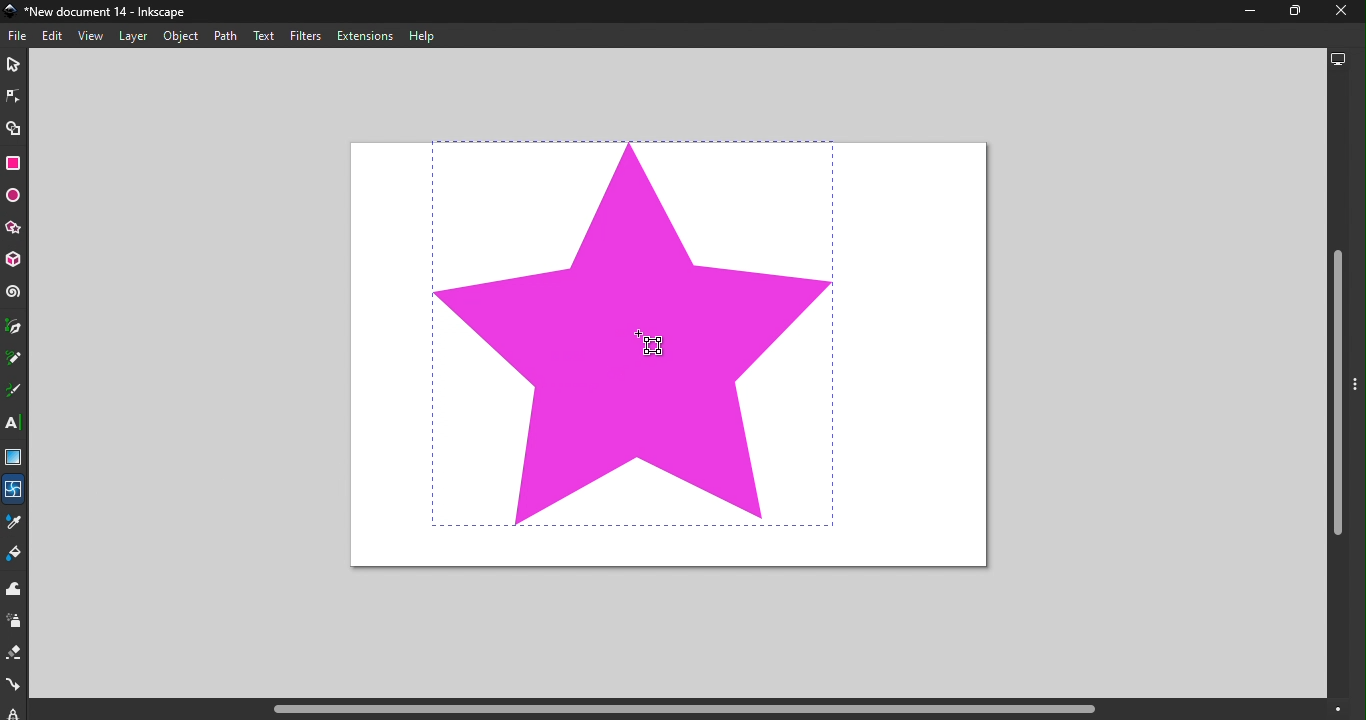 This screenshot has height=720, width=1366. What do you see at coordinates (15, 196) in the screenshot?
I see `Ellipse/Arc tool` at bounding box center [15, 196].